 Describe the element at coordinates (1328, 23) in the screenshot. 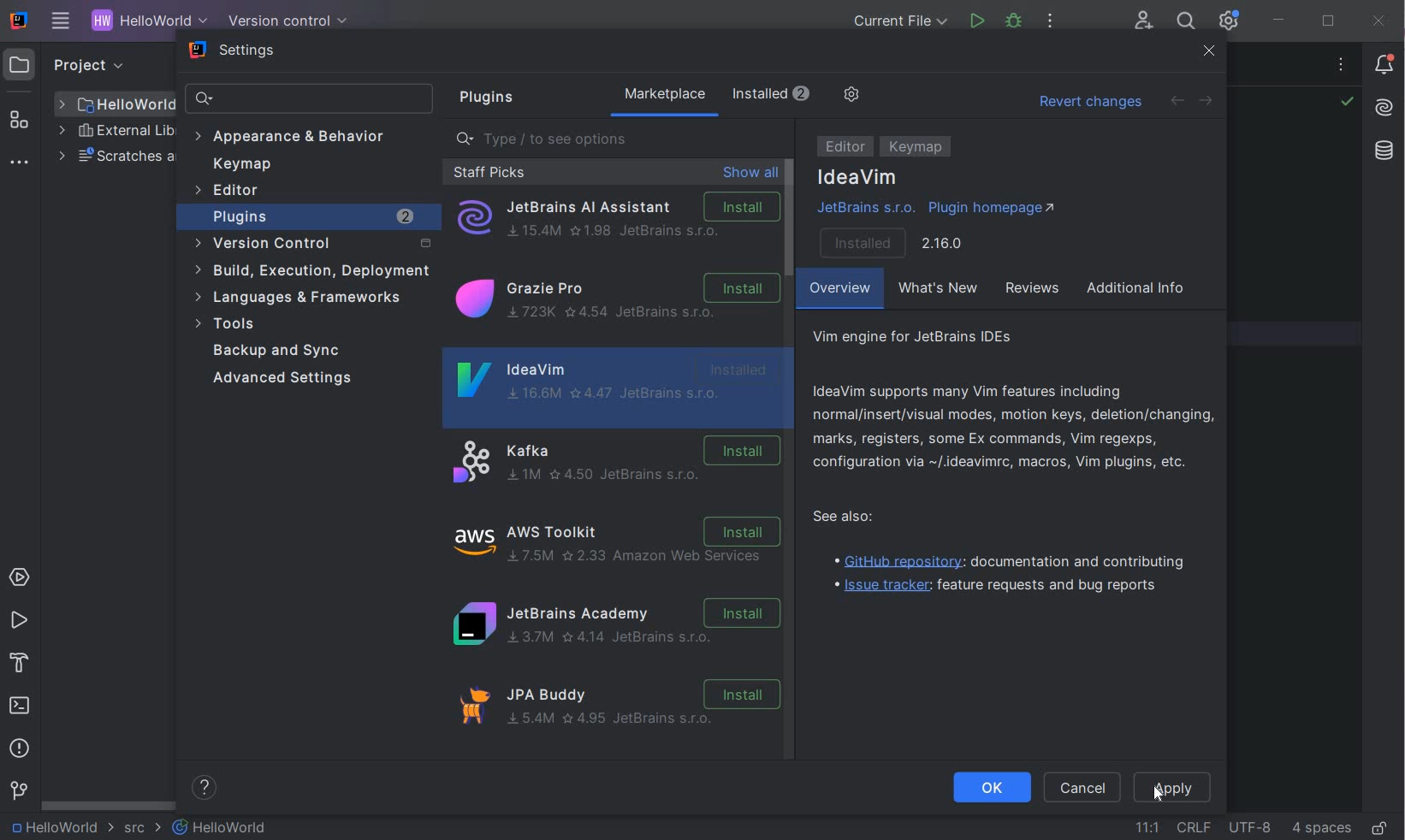

I see `RESTORE DOWN` at that location.